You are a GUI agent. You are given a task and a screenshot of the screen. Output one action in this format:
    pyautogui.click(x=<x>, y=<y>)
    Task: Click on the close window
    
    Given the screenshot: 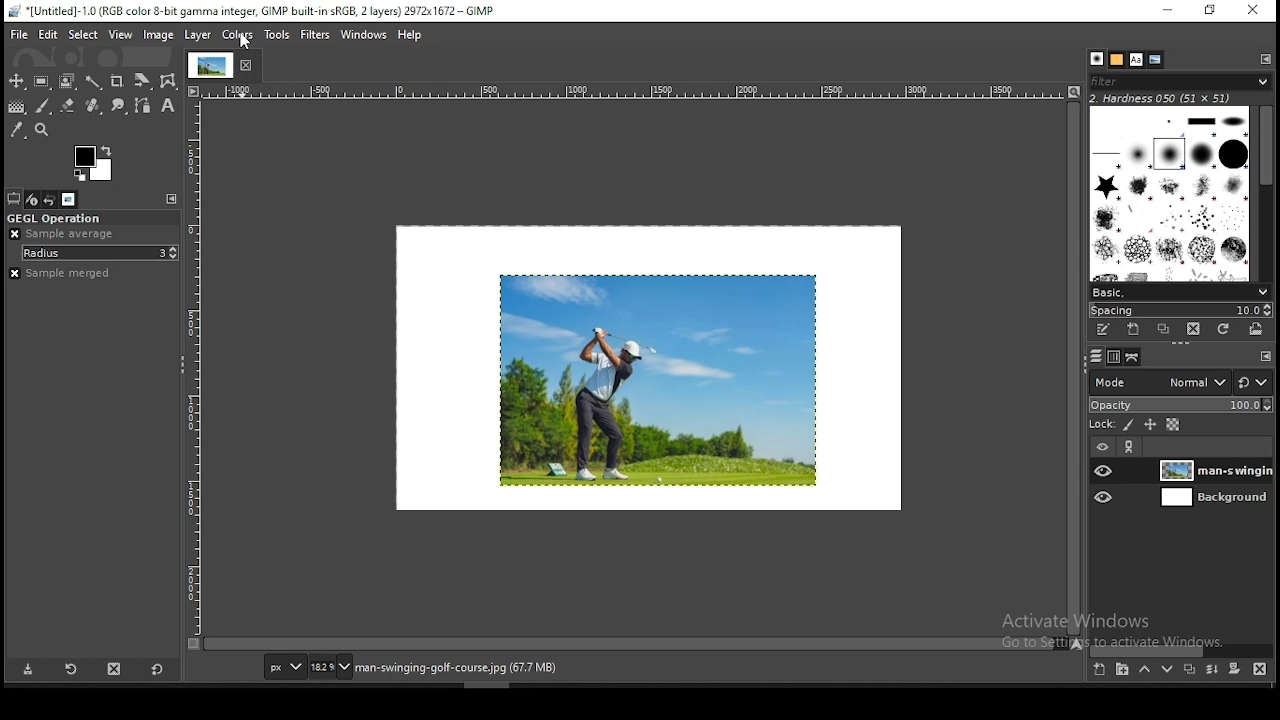 What is the action you would take?
    pyautogui.click(x=1255, y=11)
    